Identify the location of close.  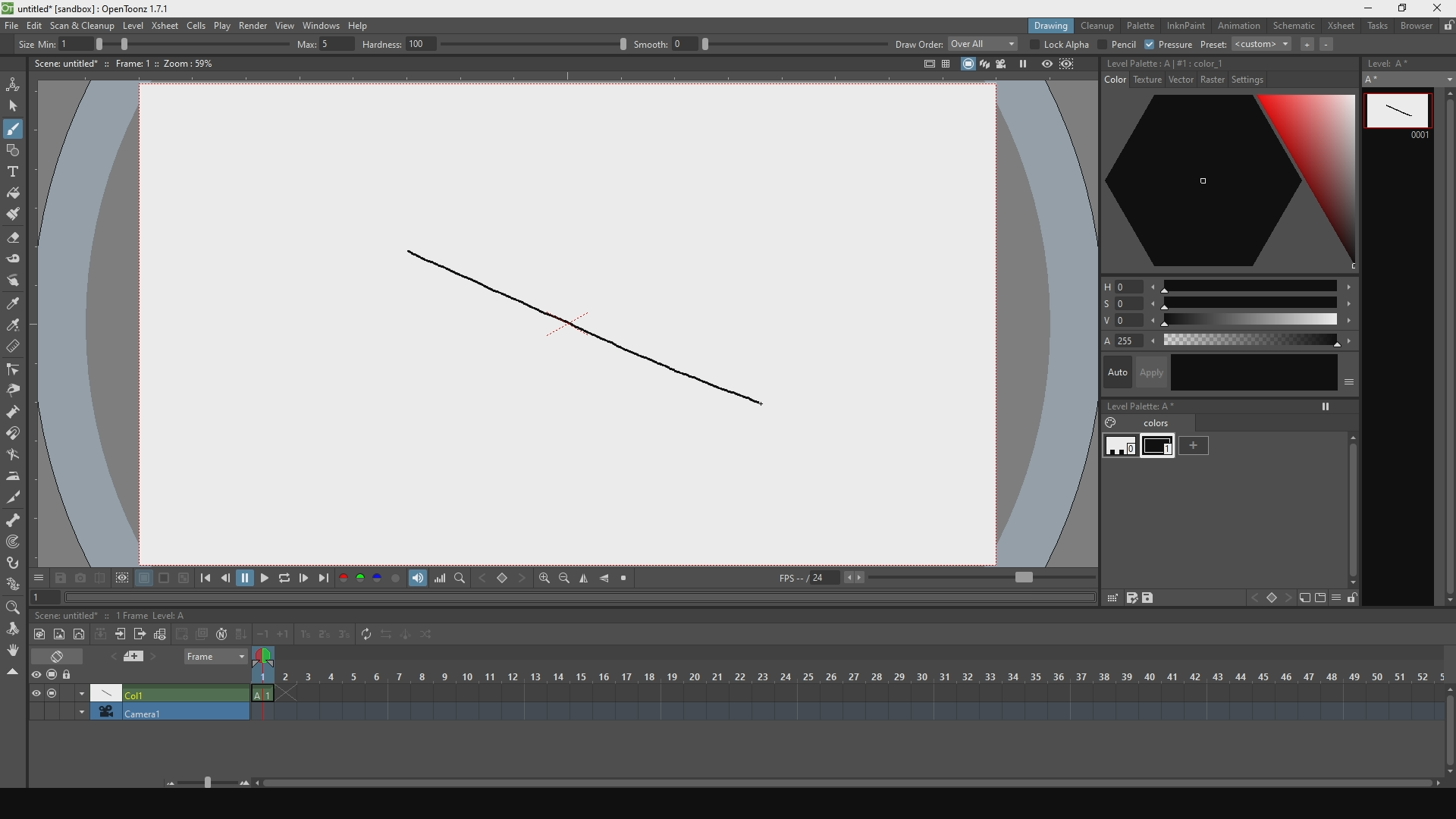
(14, 672).